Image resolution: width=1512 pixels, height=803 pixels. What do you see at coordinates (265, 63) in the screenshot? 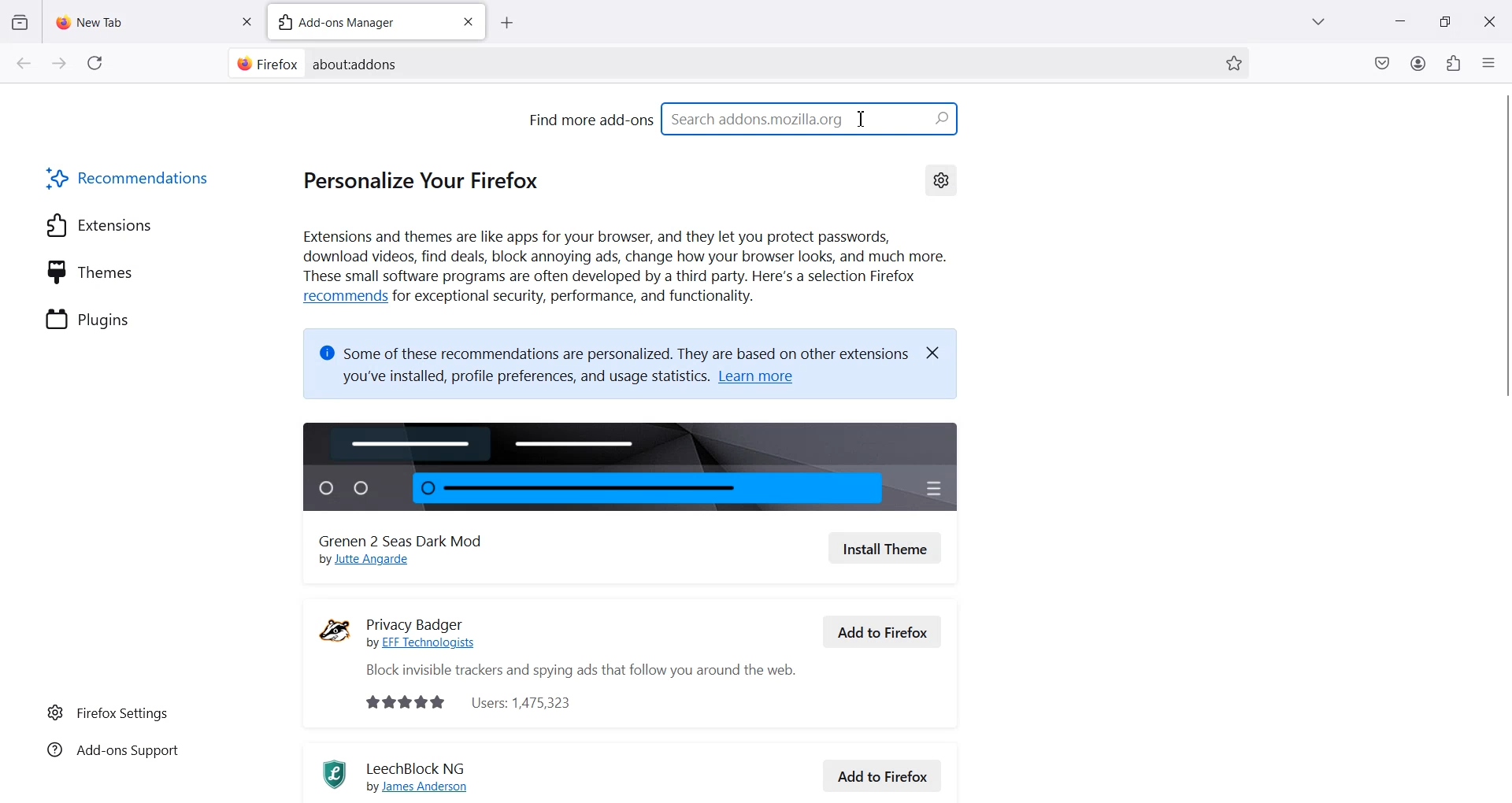
I see `Firefox` at bounding box center [265, 63].